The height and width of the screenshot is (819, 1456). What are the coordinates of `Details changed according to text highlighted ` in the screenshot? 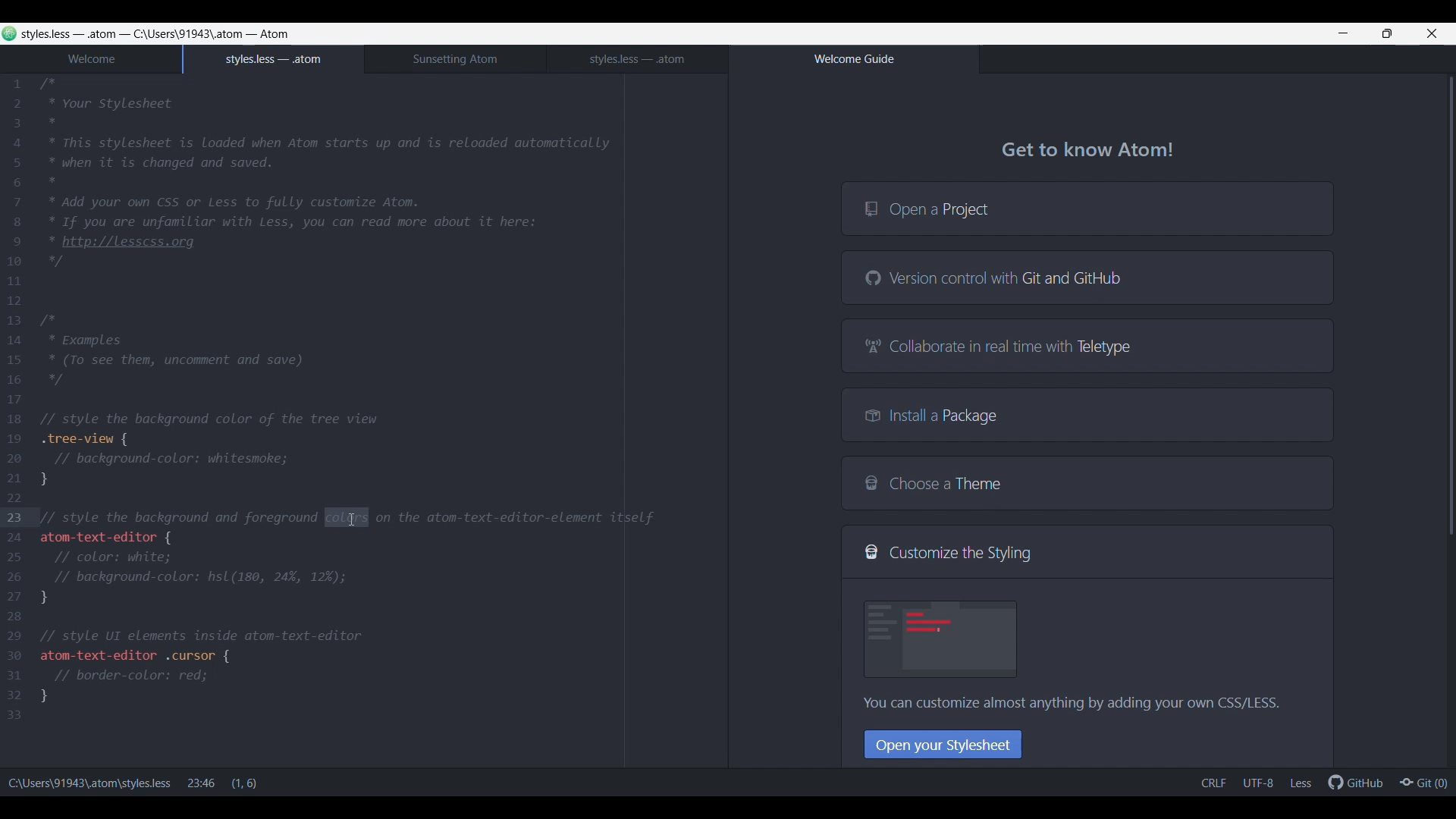 It's located at (220, 782).